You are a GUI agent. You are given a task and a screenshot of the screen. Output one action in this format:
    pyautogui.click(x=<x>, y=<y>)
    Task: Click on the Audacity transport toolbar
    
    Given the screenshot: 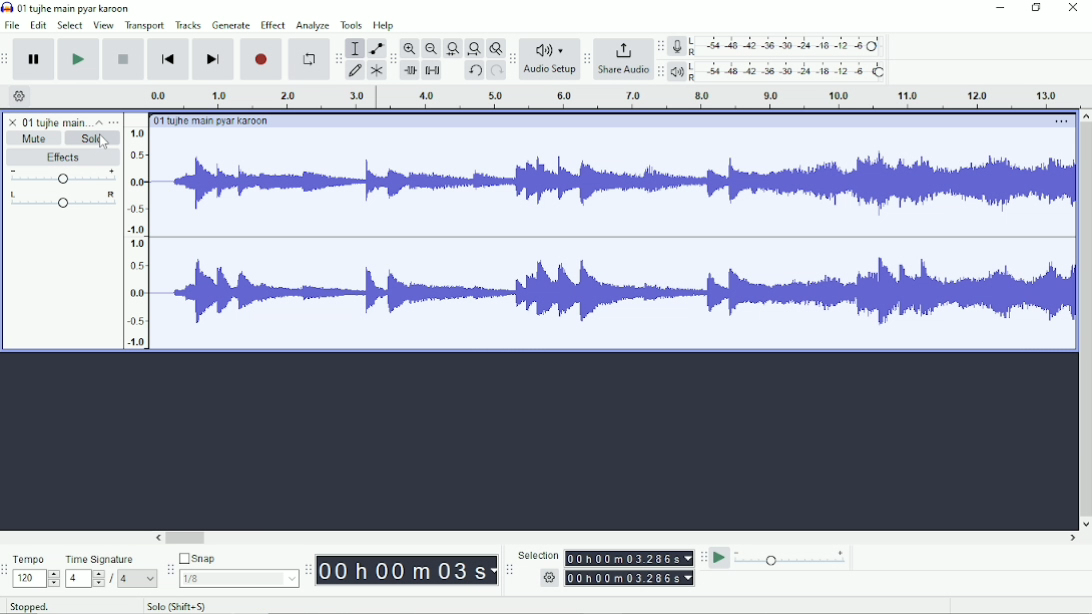 What is the action you would take?
    pyautogui.click(x=5, y=58)
    